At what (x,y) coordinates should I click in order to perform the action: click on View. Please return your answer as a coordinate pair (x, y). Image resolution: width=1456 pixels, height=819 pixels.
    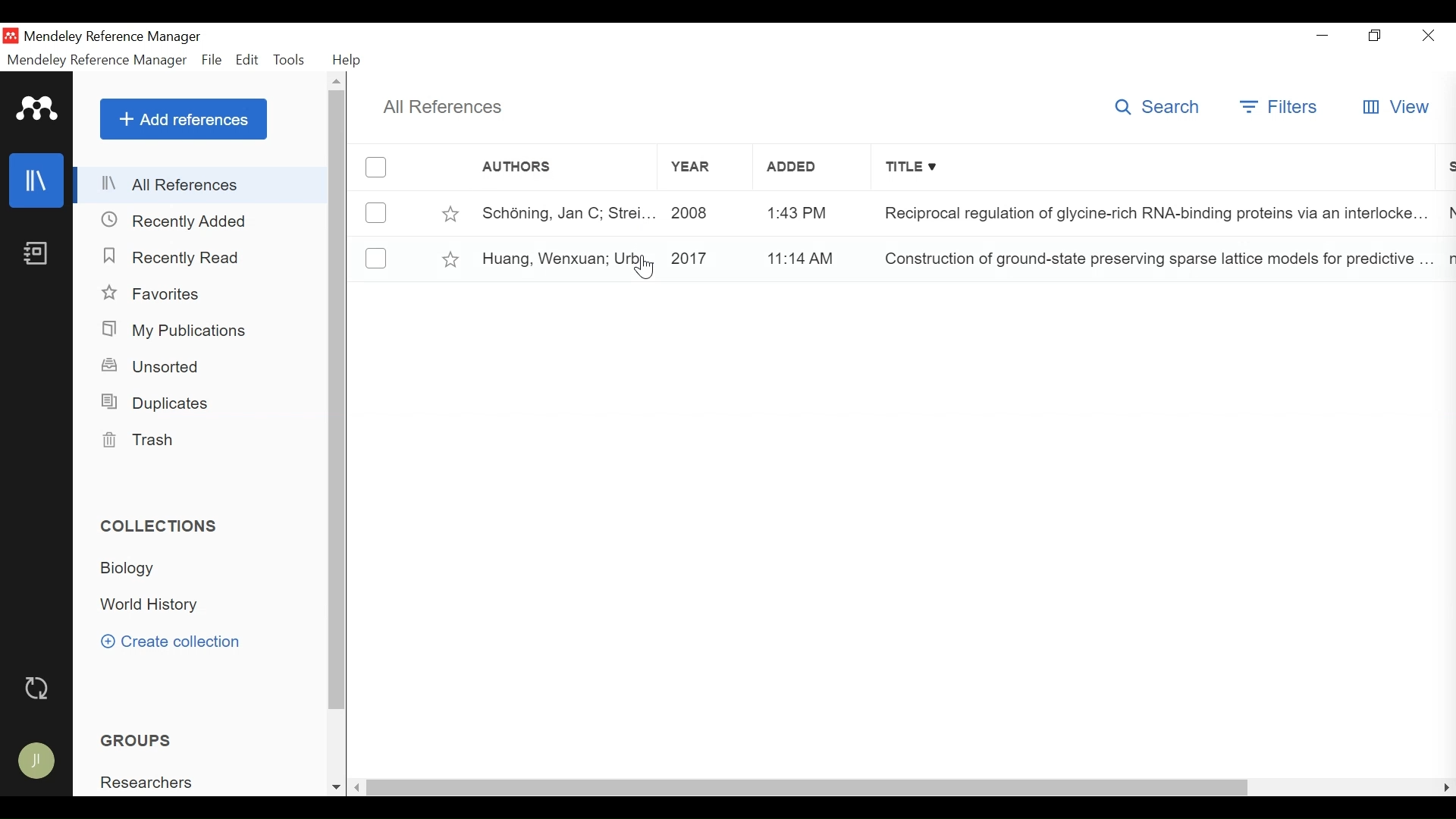
    Looking at the image, I should click on (1396, 107).